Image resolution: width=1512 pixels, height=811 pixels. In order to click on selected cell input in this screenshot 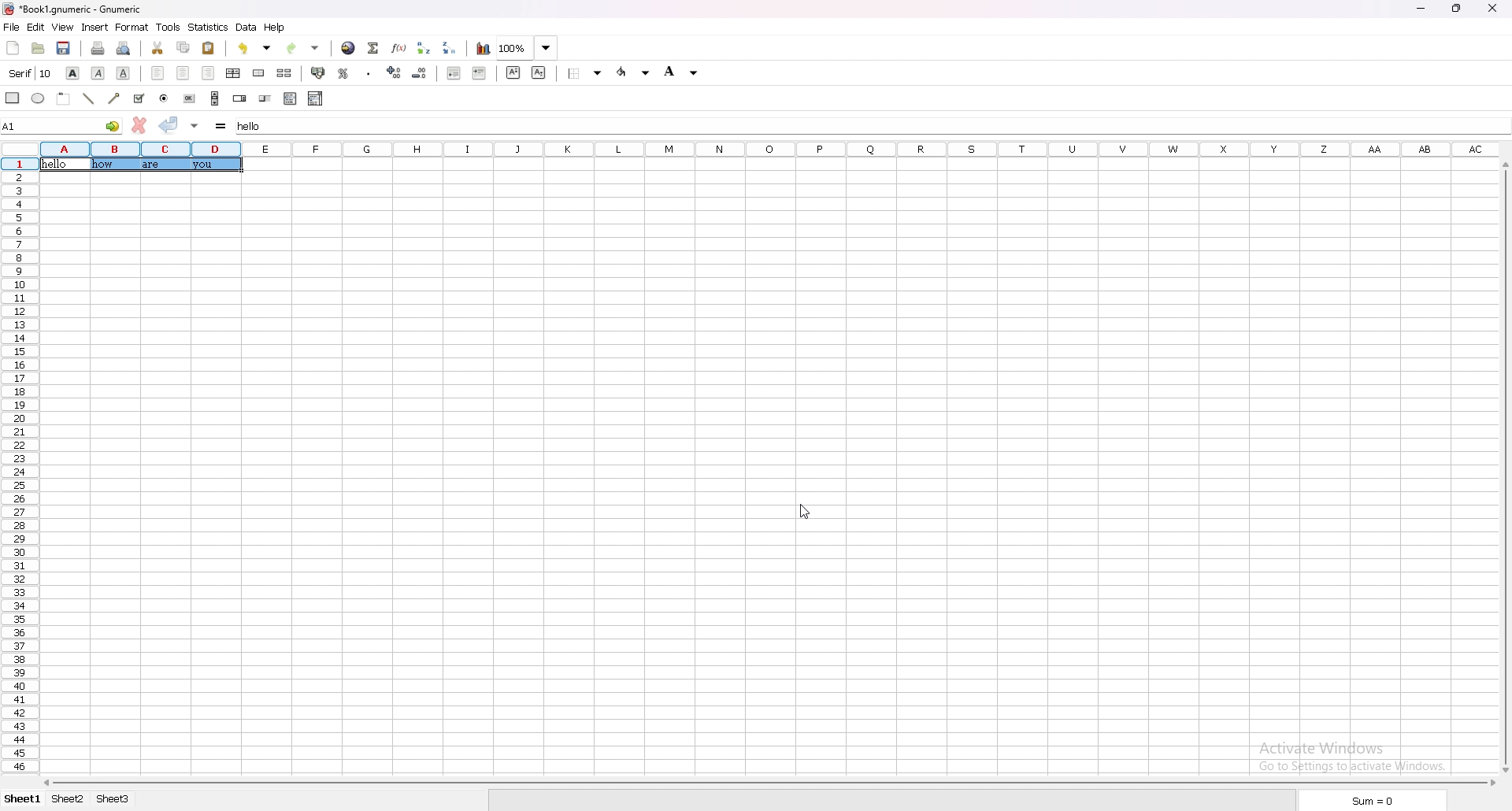, I will do `click(256, 126)`.